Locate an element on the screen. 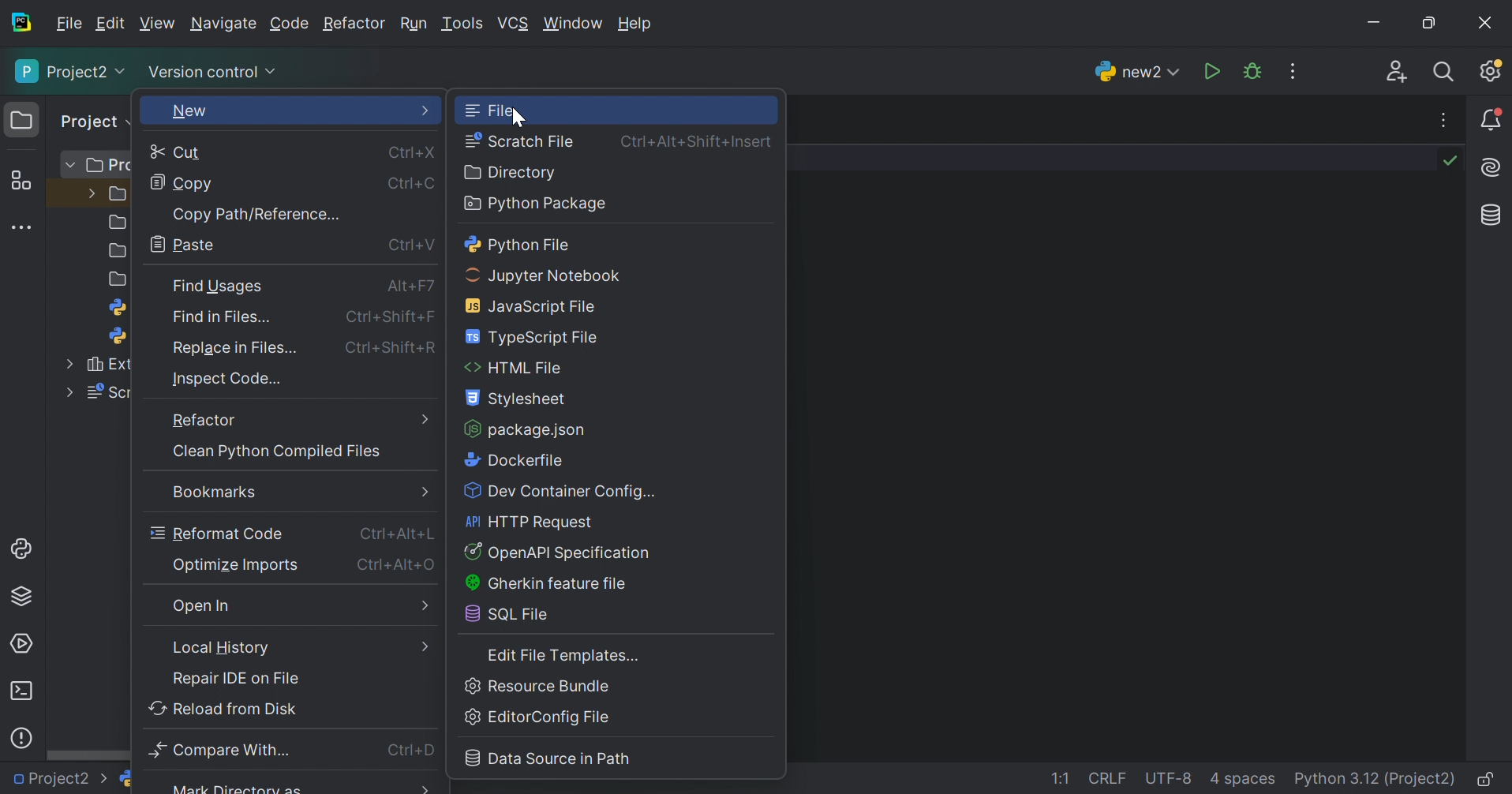 The height and width of the screenshot is (794, 1512). Folder icon is located at coordinates (18, 118).